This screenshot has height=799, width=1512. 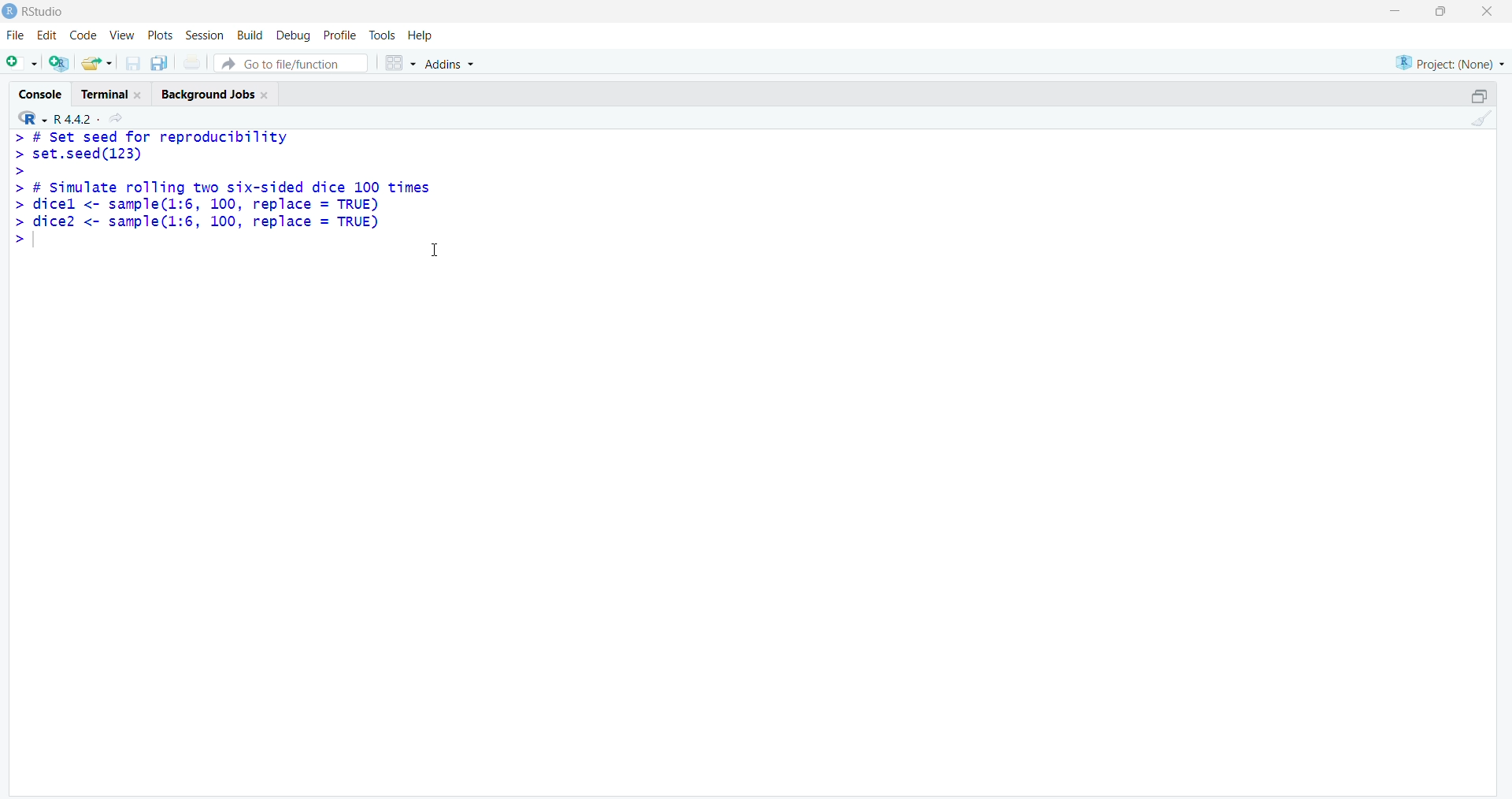 What do you see at coordinates (292, 36) in the screenshot?
I see `debug` at bounding box center [292, 36].